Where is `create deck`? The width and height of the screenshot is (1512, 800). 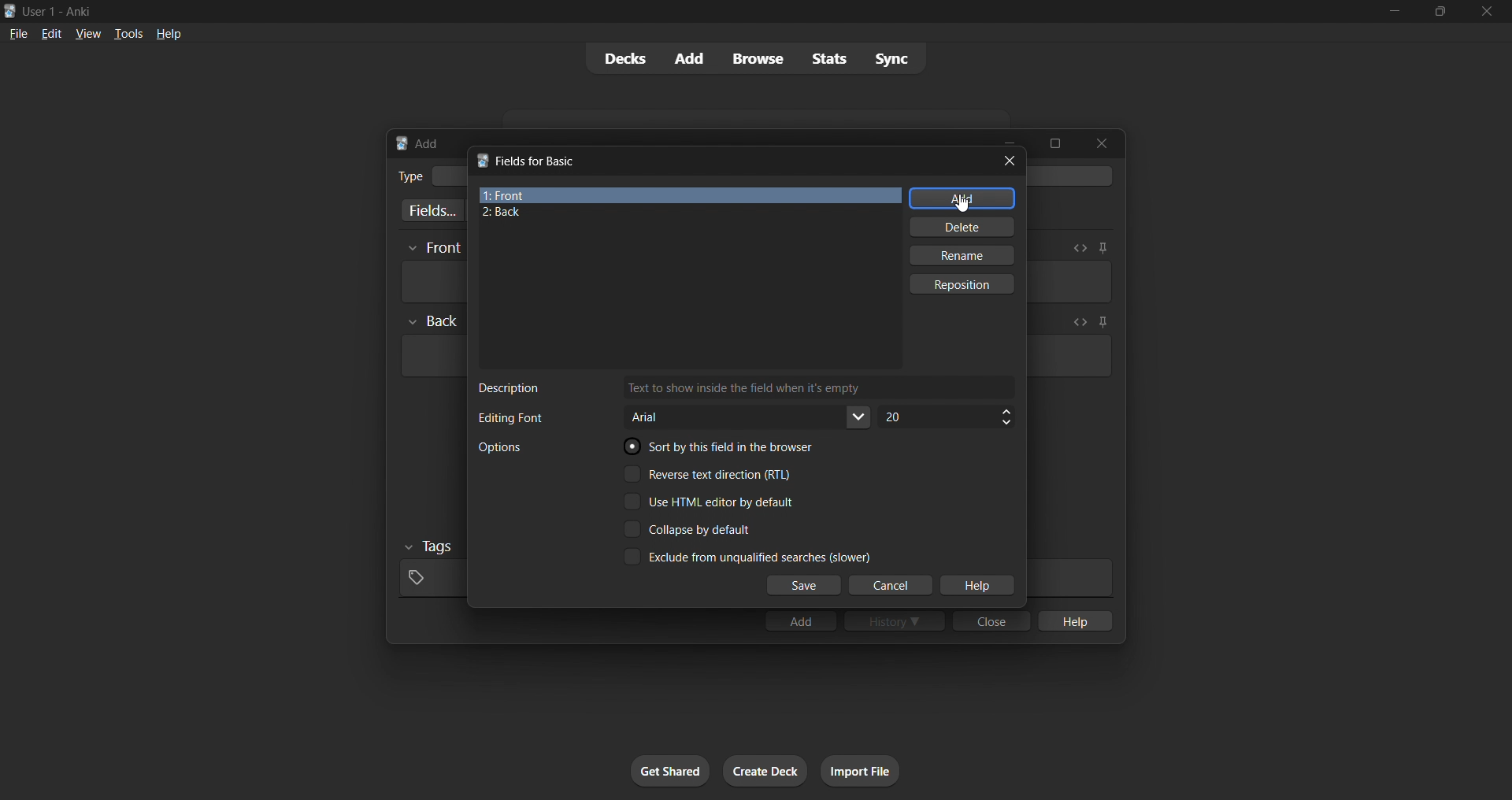
create deck is located at coordinates (765, 771).